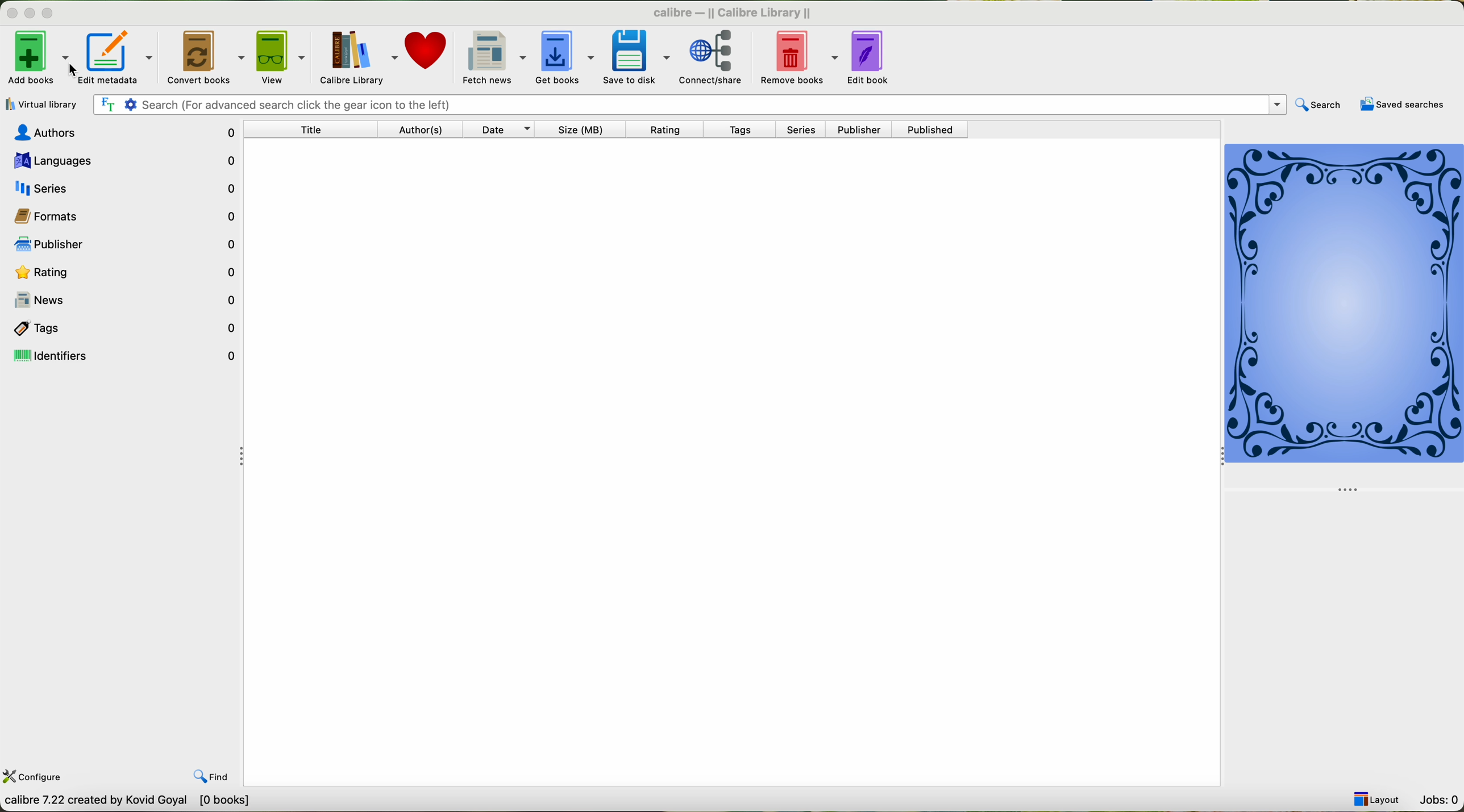 Image resolution: width=1464 pixels, height=812 pixels. What do you see at coordinates (637, 58) in the screenshot?
I see `save to disk` at bounding box center [637, 58].